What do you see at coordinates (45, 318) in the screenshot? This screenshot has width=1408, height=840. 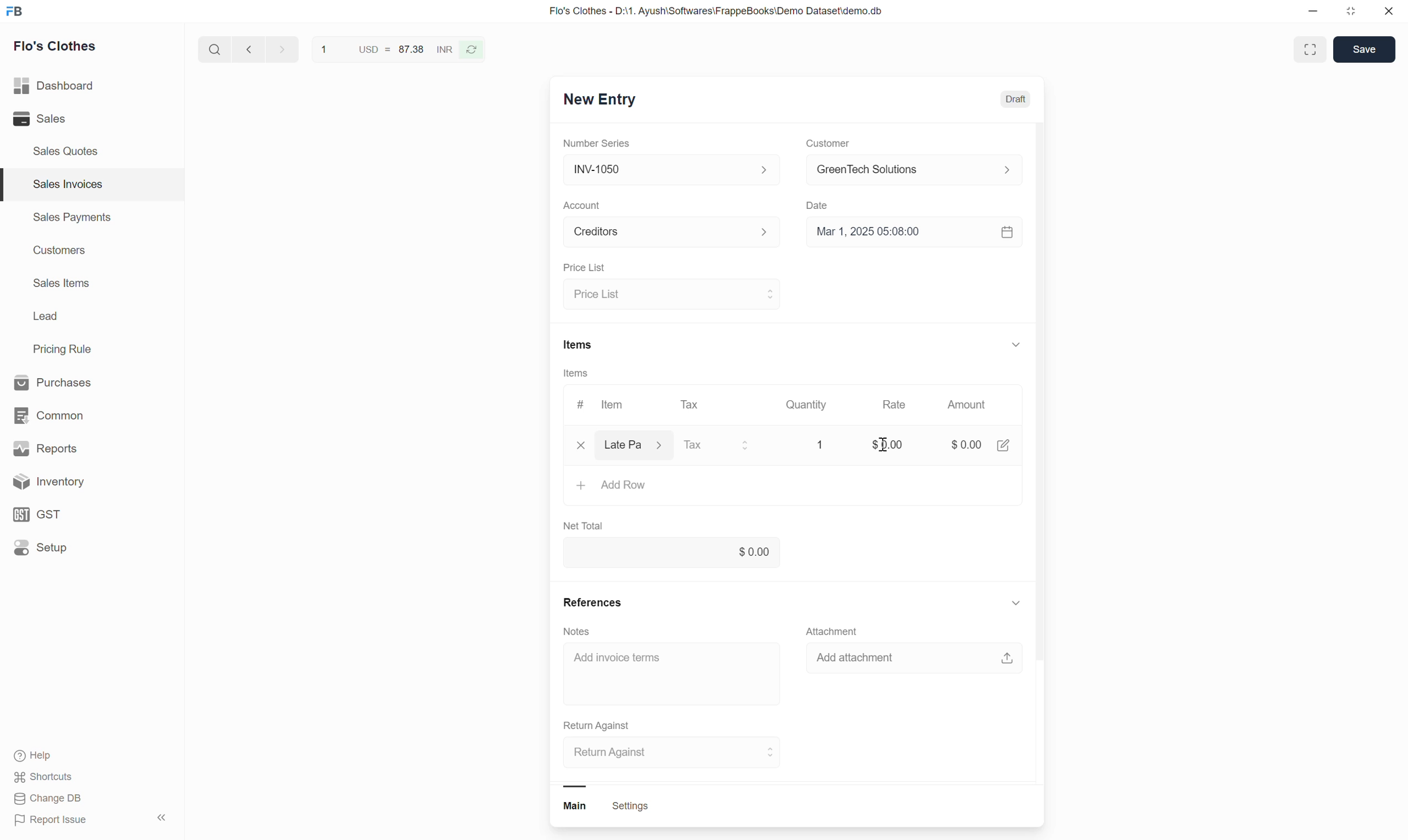 I see `Lead` at bounding box center [45, 318].